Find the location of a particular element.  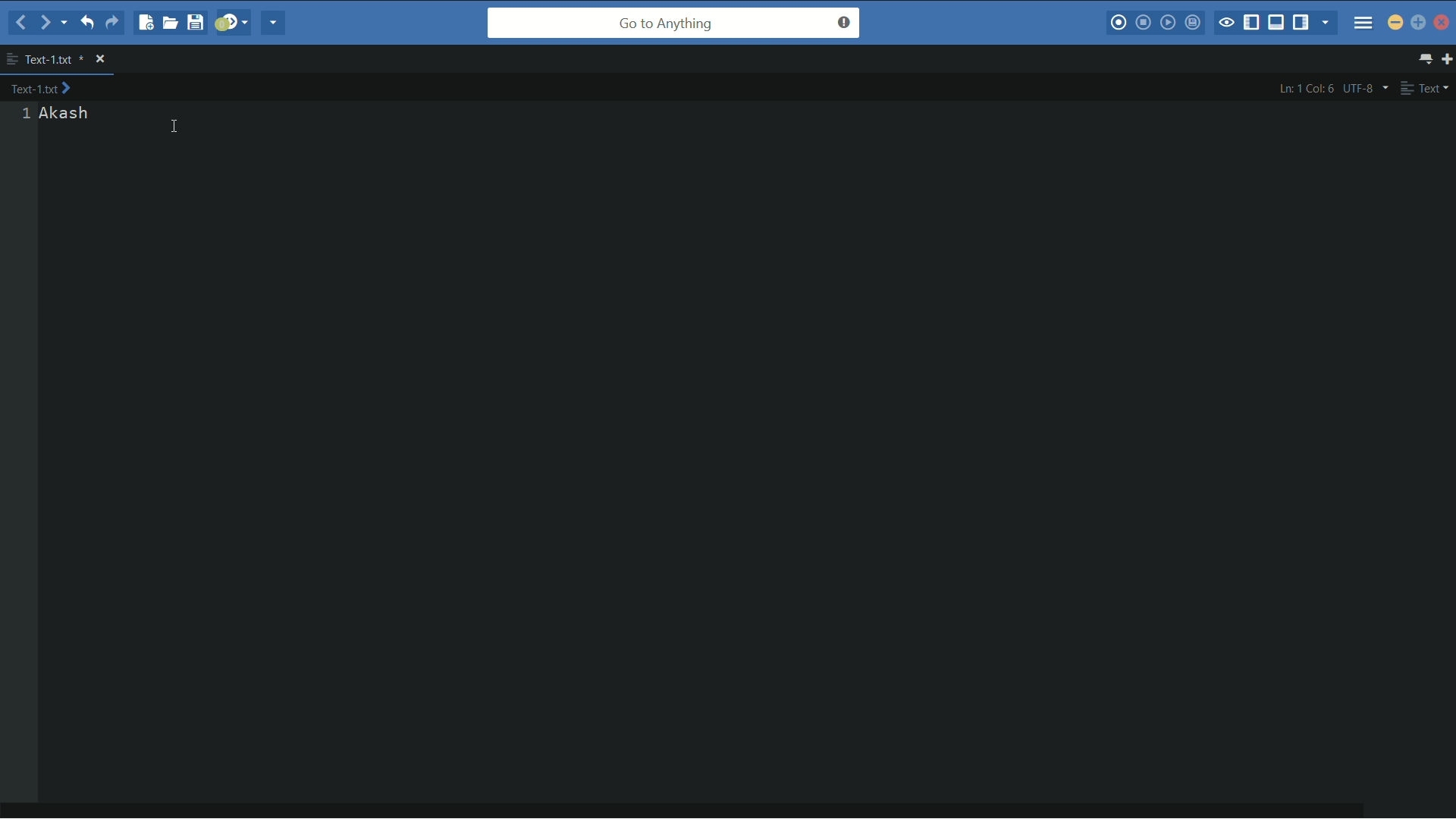

go to anything search bar is located at coordinates (673, 23).